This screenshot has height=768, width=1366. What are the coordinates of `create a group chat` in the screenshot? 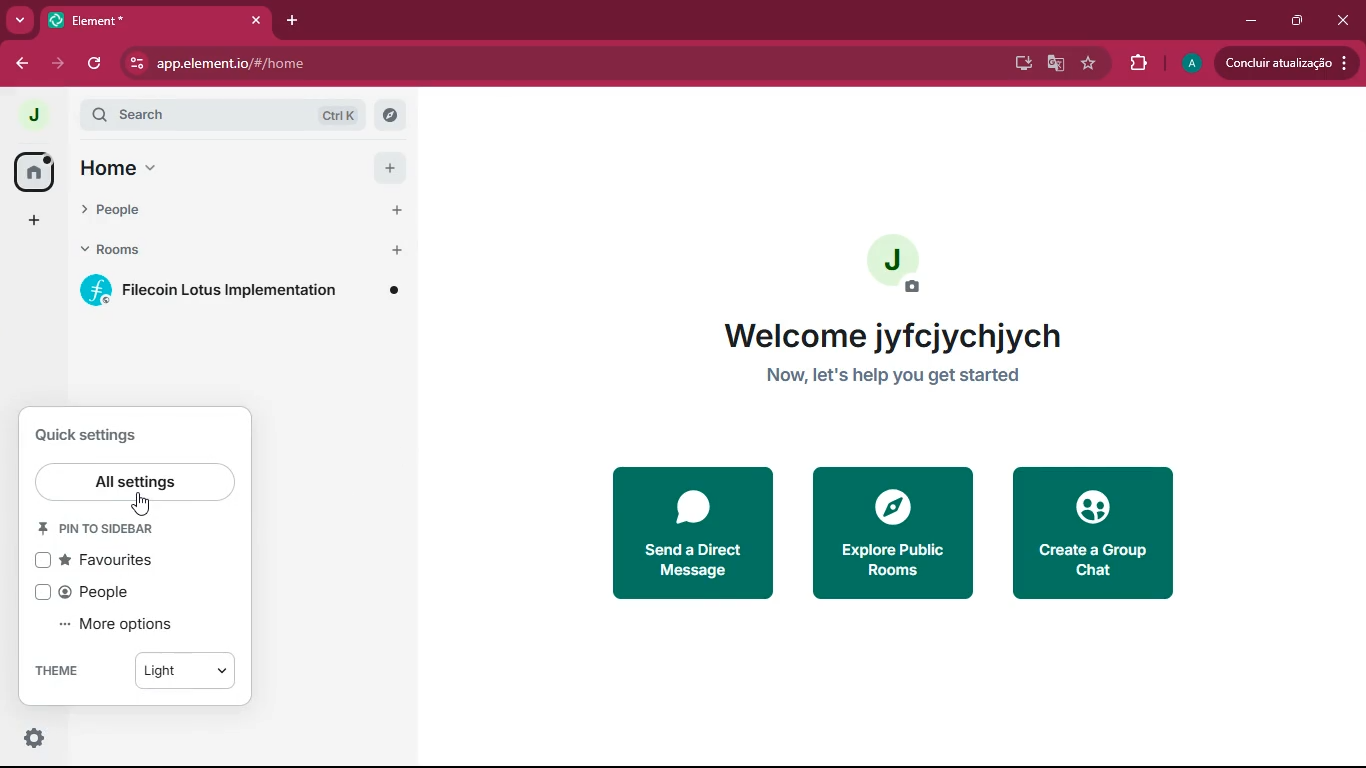 It's located at (1095, 530).